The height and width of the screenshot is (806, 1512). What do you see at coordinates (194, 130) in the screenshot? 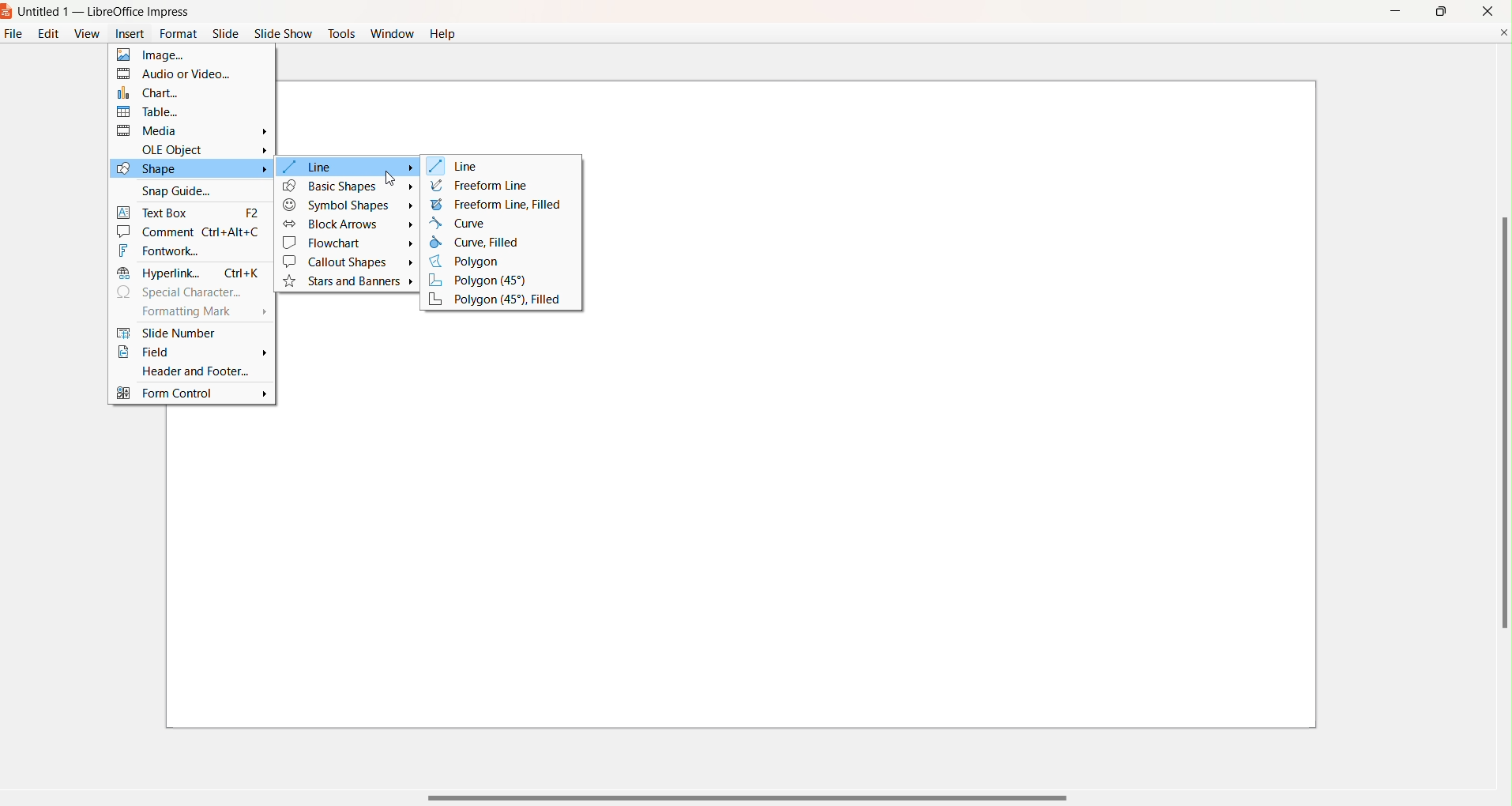
I see `media` at bounding box center [194, 130].